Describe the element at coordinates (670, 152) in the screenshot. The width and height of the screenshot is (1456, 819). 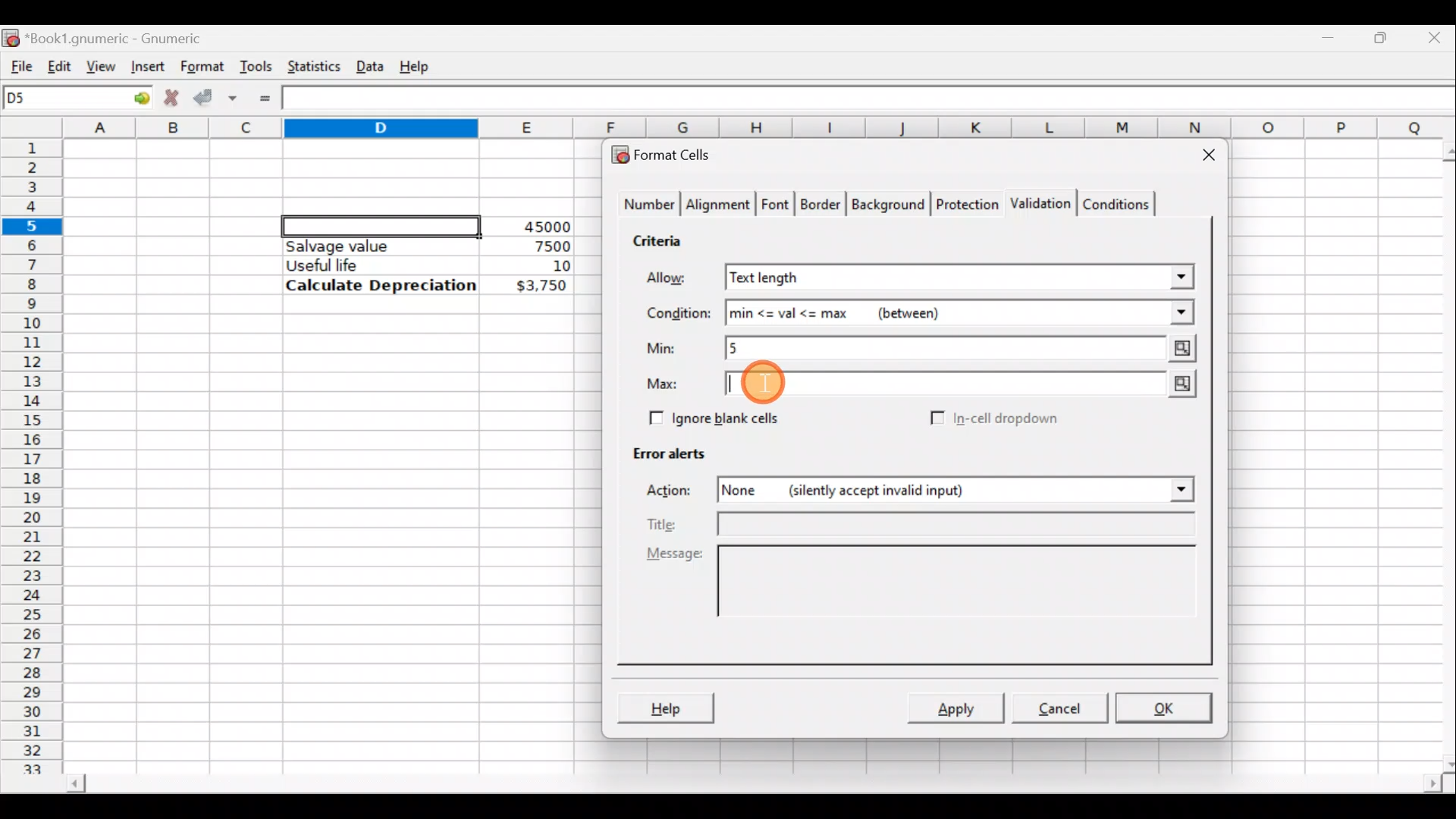
I see `Format cells` at that location.